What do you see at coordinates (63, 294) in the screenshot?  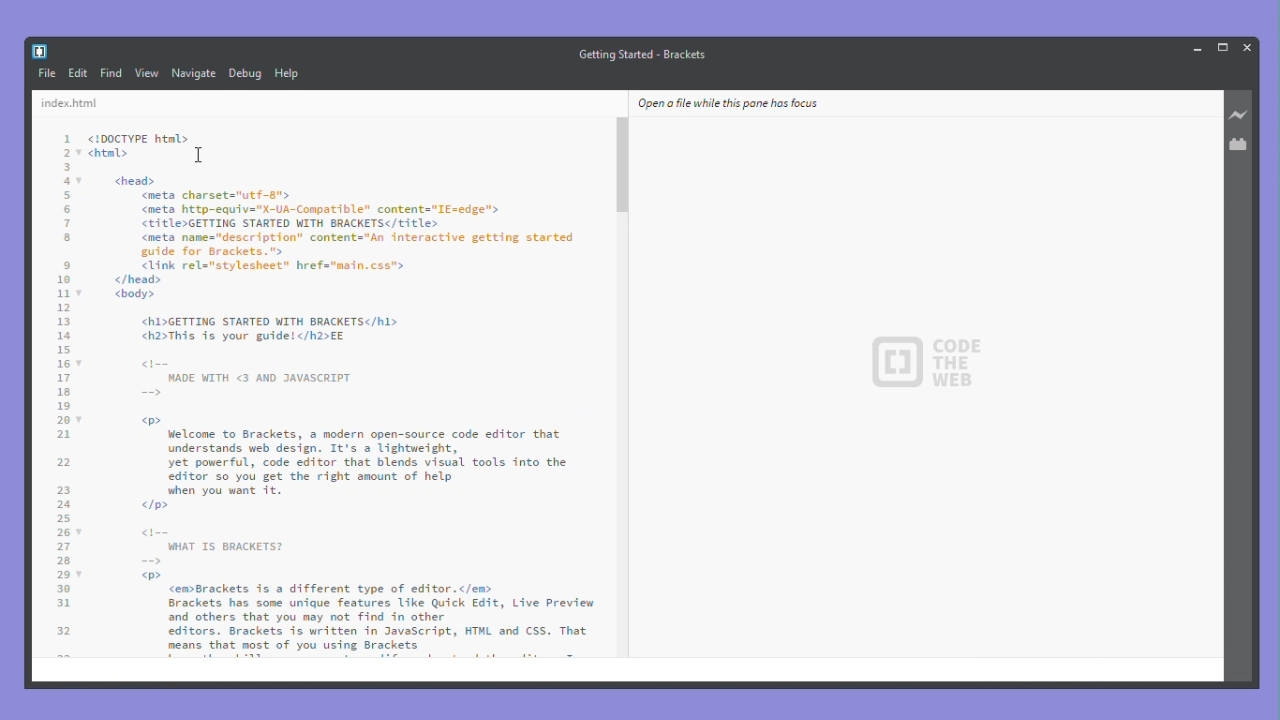 I see `11` at bounding box center [63, 294].